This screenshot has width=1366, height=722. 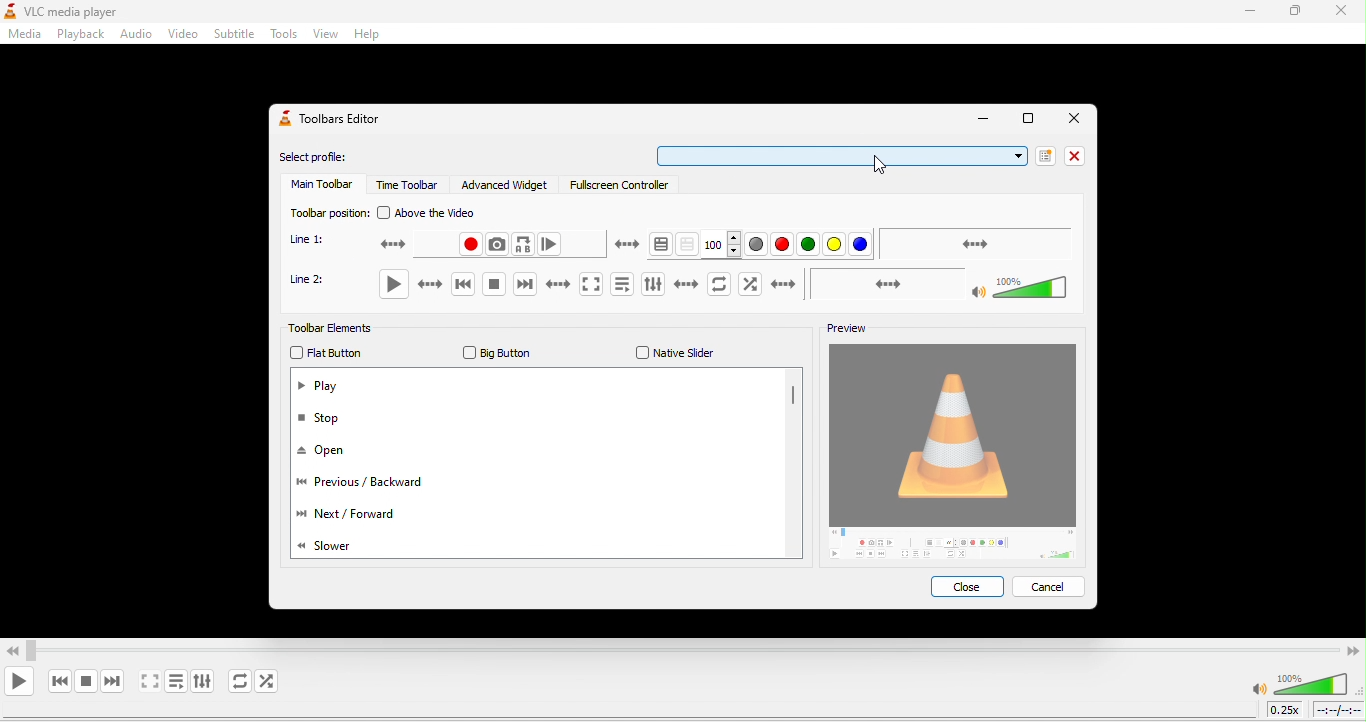 What do you see at coordinates (881, 166) in the screenshot?
I see `cursor movement` at bounding box center [881, 166].